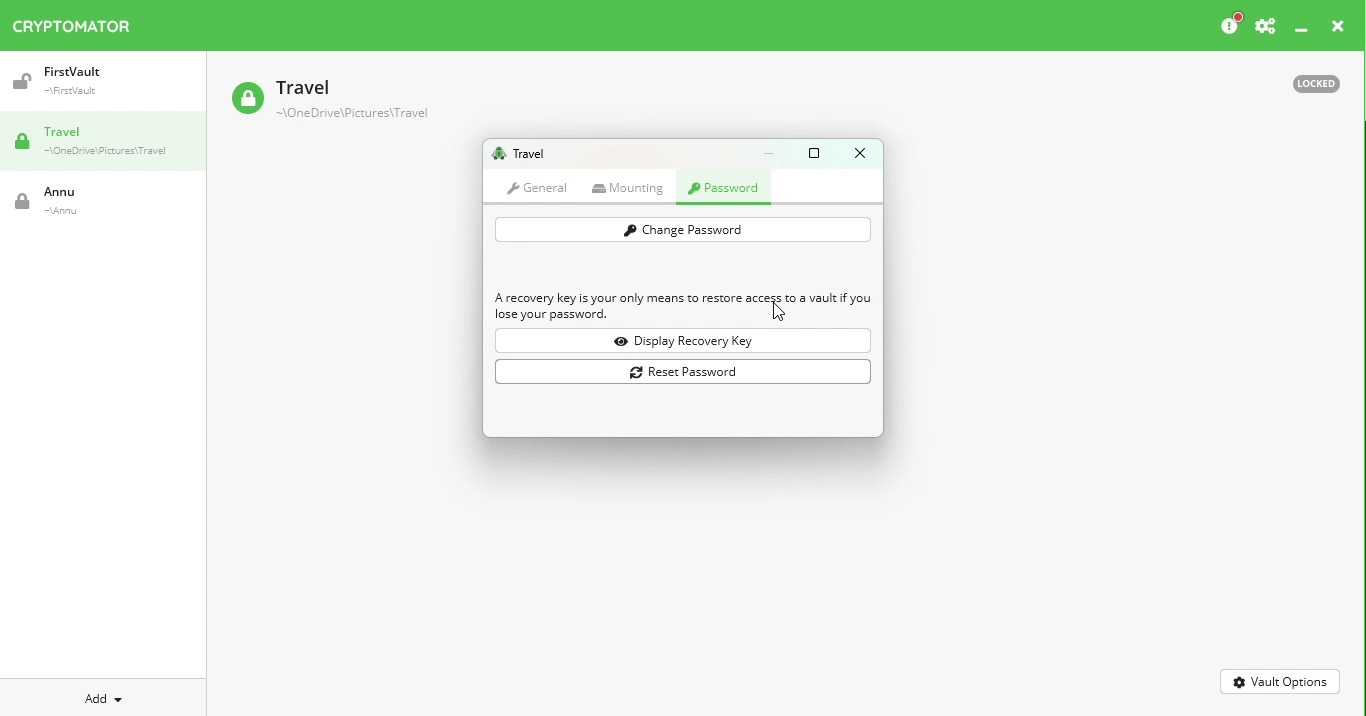 This screenshot has width=1366, height=716. What do you see at coordinates (93, 81) in the screenshot?
I see `Vault` at bounding box center [93, 81].